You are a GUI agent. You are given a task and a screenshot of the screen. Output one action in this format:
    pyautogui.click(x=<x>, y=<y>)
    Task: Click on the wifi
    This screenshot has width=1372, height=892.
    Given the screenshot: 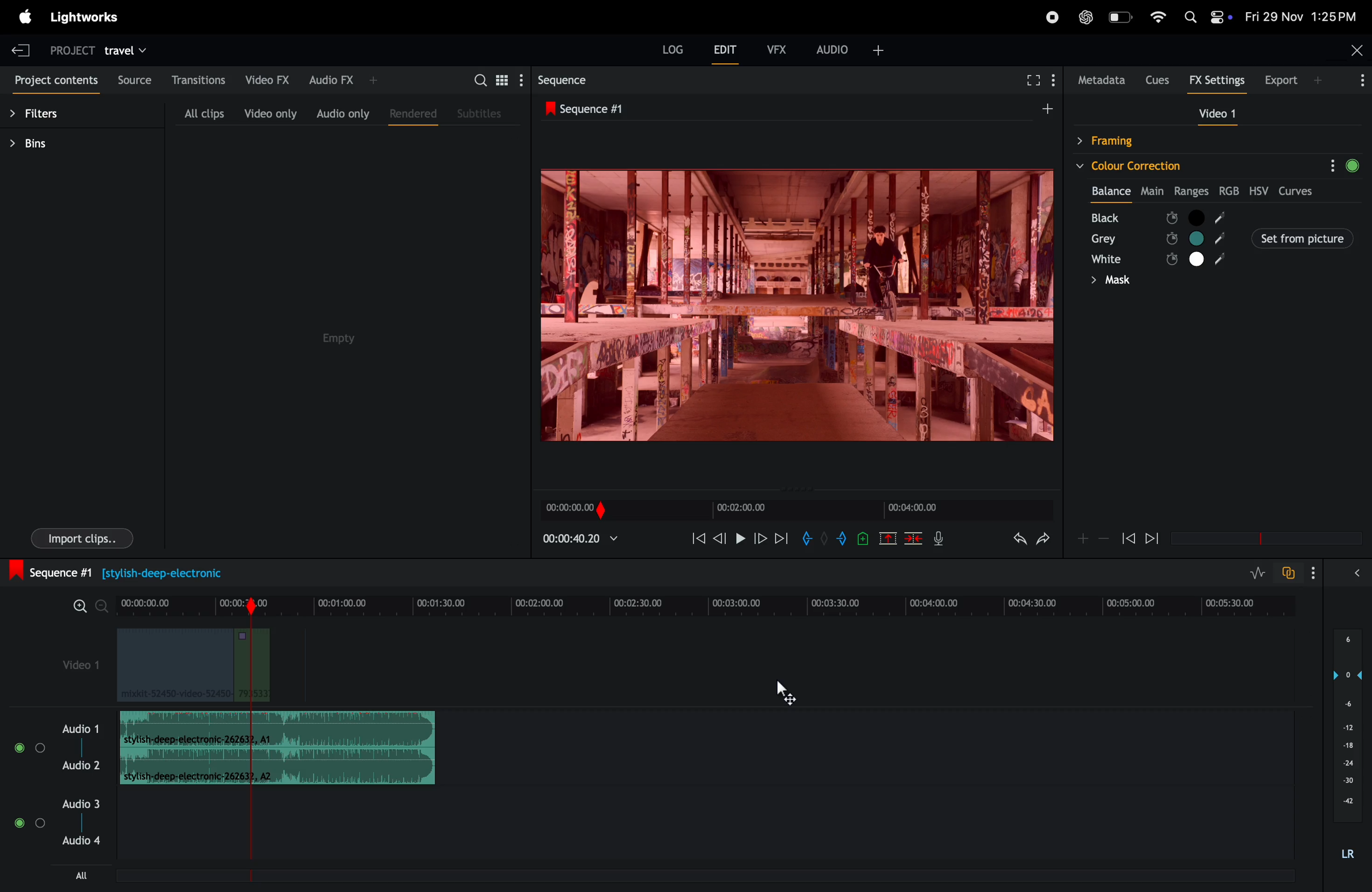 What is the action you would take?
    pyautogui.click(x=1158, y=17)
    